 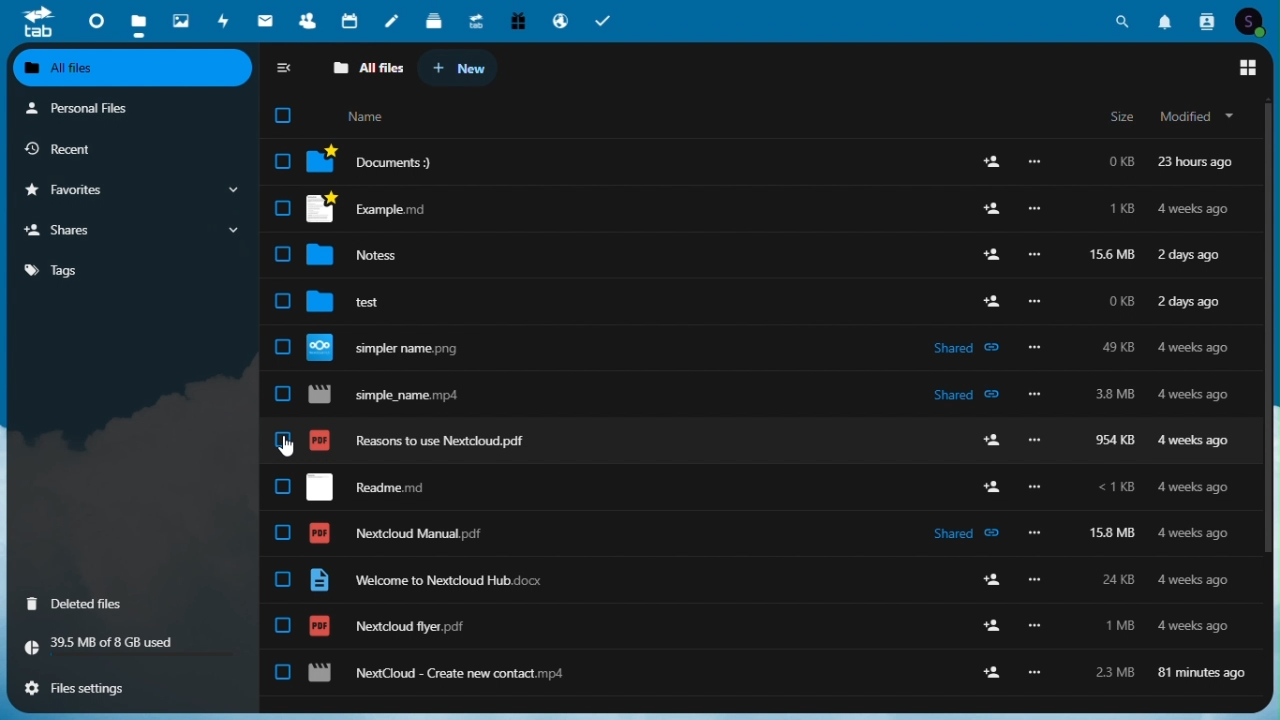 What do you see at coordinates (1036, 488) in the screenshot?
I see `` at bounding box center [1036, 488].